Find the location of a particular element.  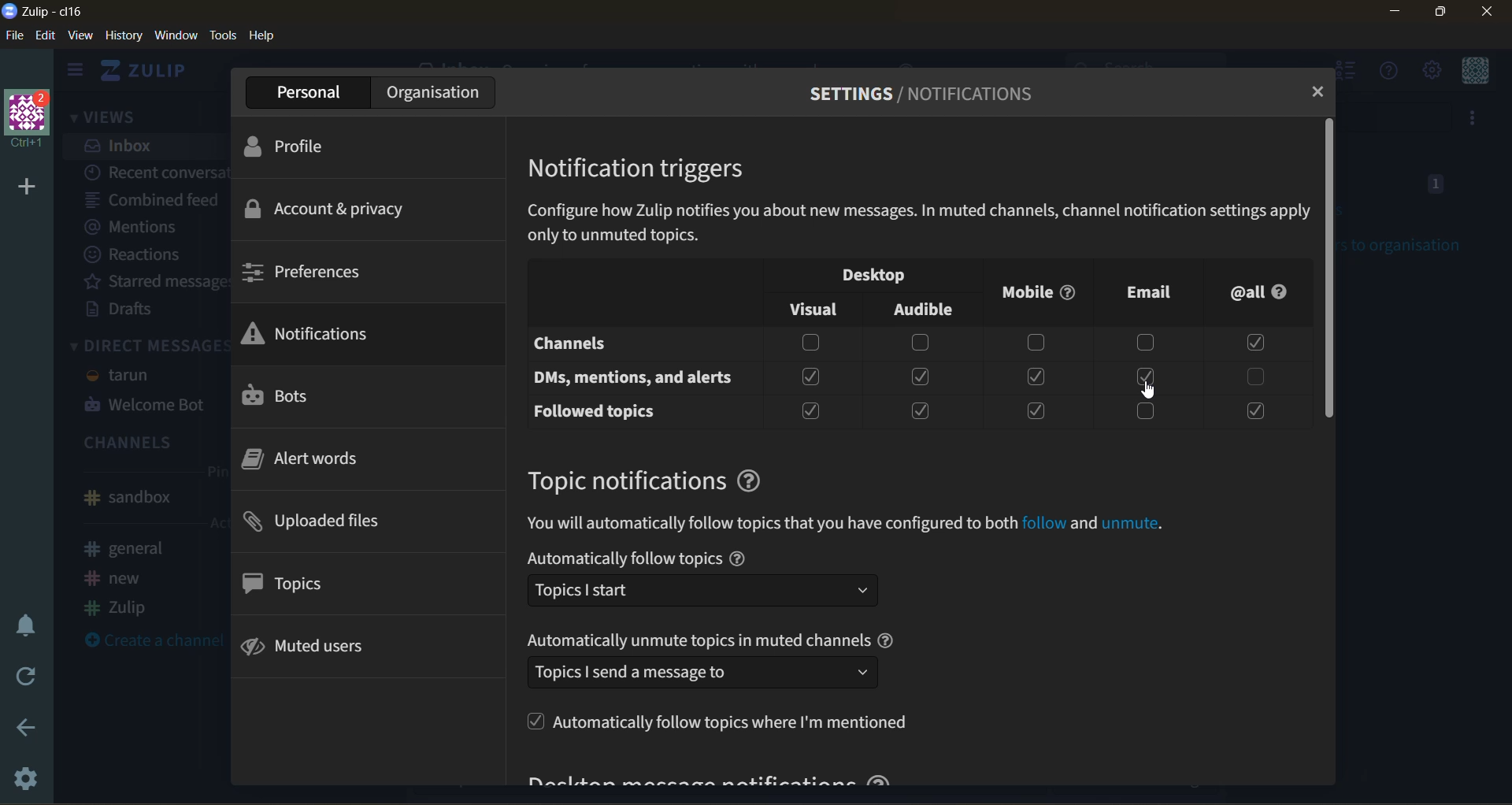

enable do not disturb is located at coordinates (28, 621).